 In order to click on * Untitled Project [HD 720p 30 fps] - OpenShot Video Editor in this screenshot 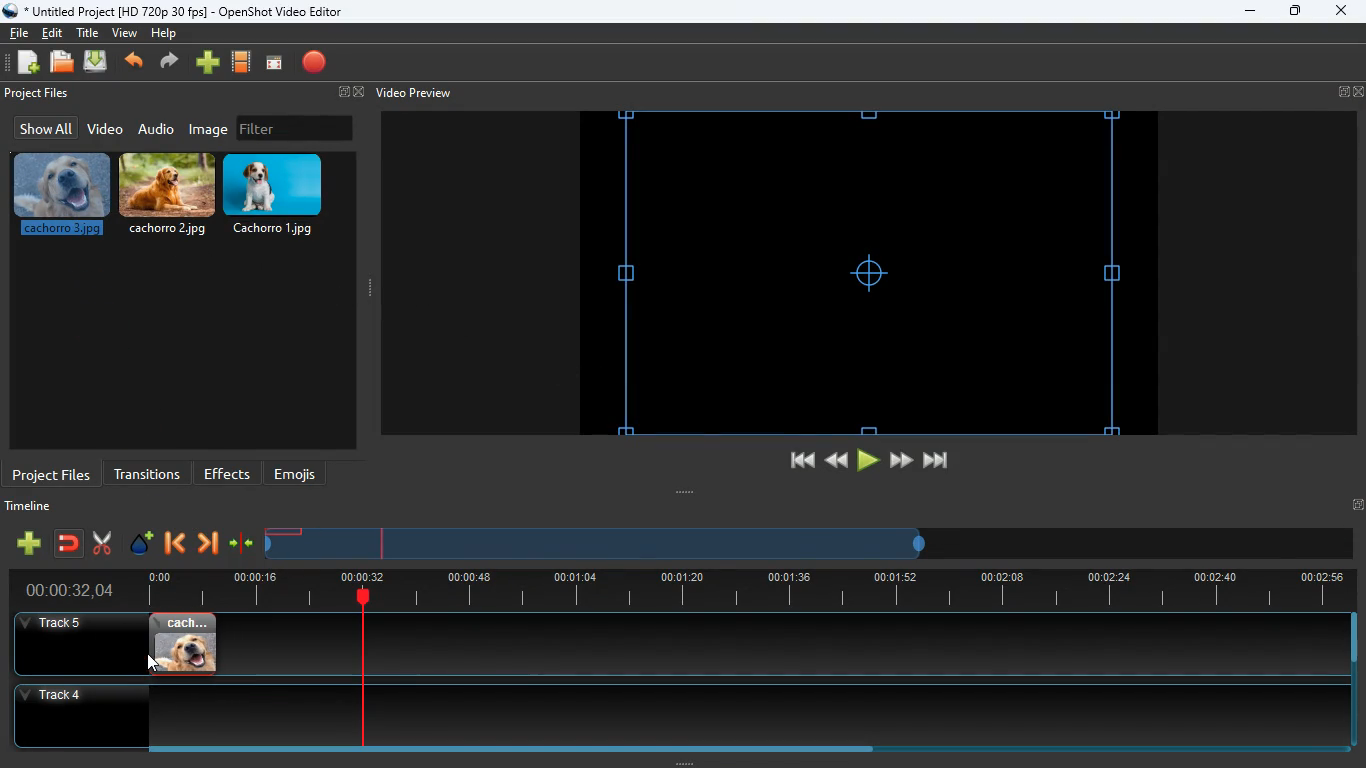, I will do `click(176, 11)`.